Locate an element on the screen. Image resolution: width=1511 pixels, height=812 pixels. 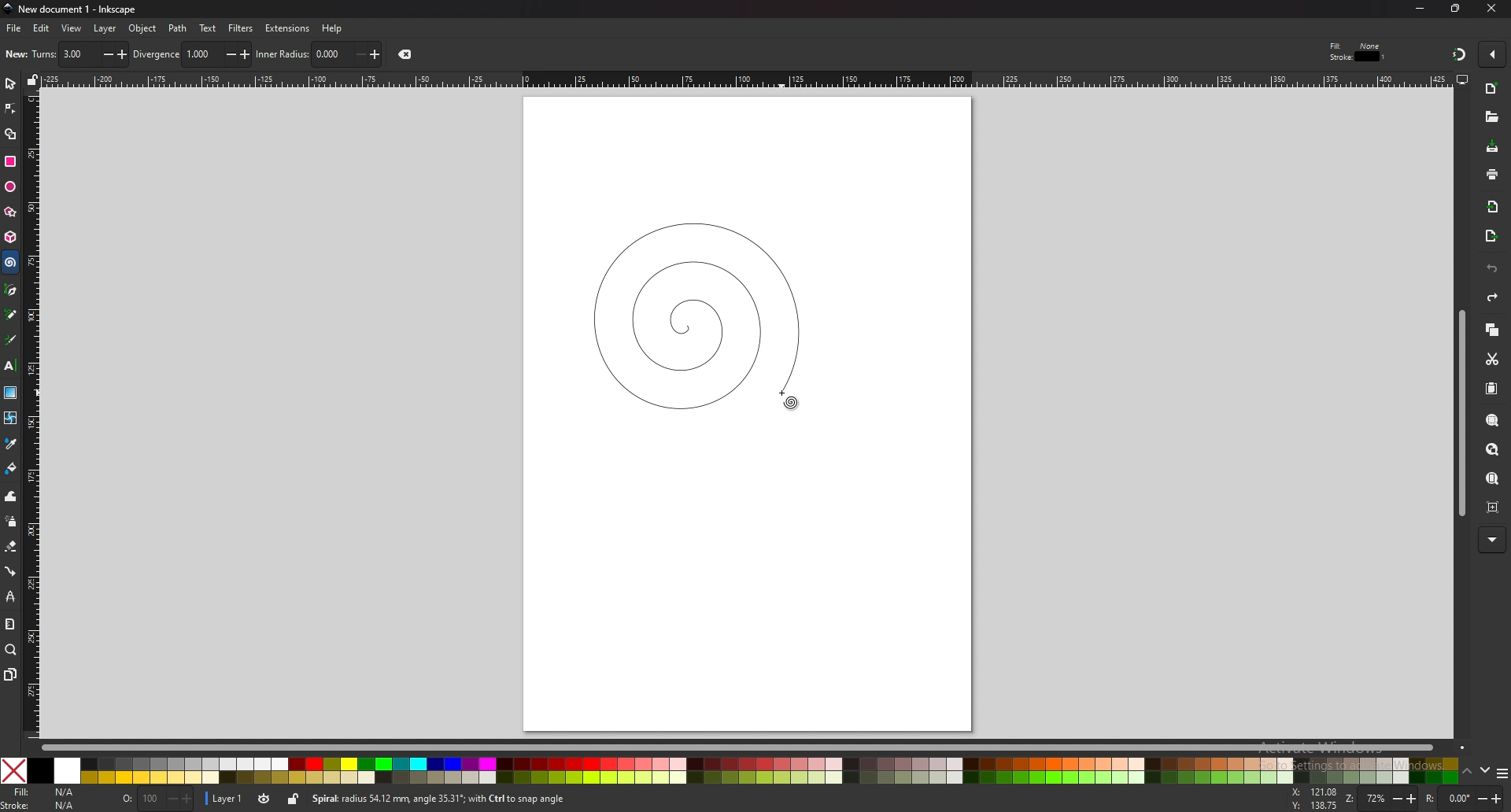
horizontal scale is located at coordinates (744, 79).